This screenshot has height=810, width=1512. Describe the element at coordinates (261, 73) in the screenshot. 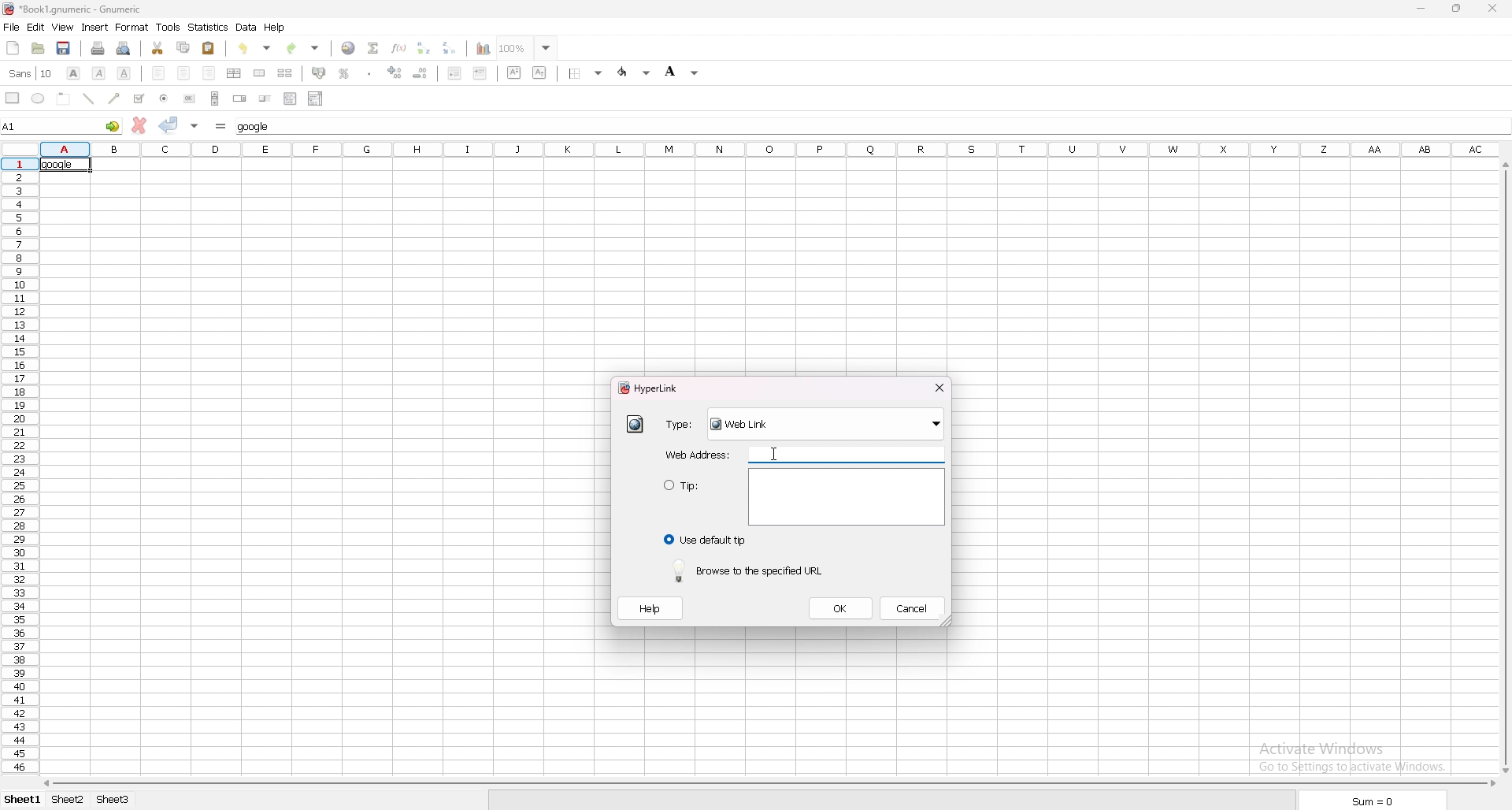

I see `merge cell` at that location.